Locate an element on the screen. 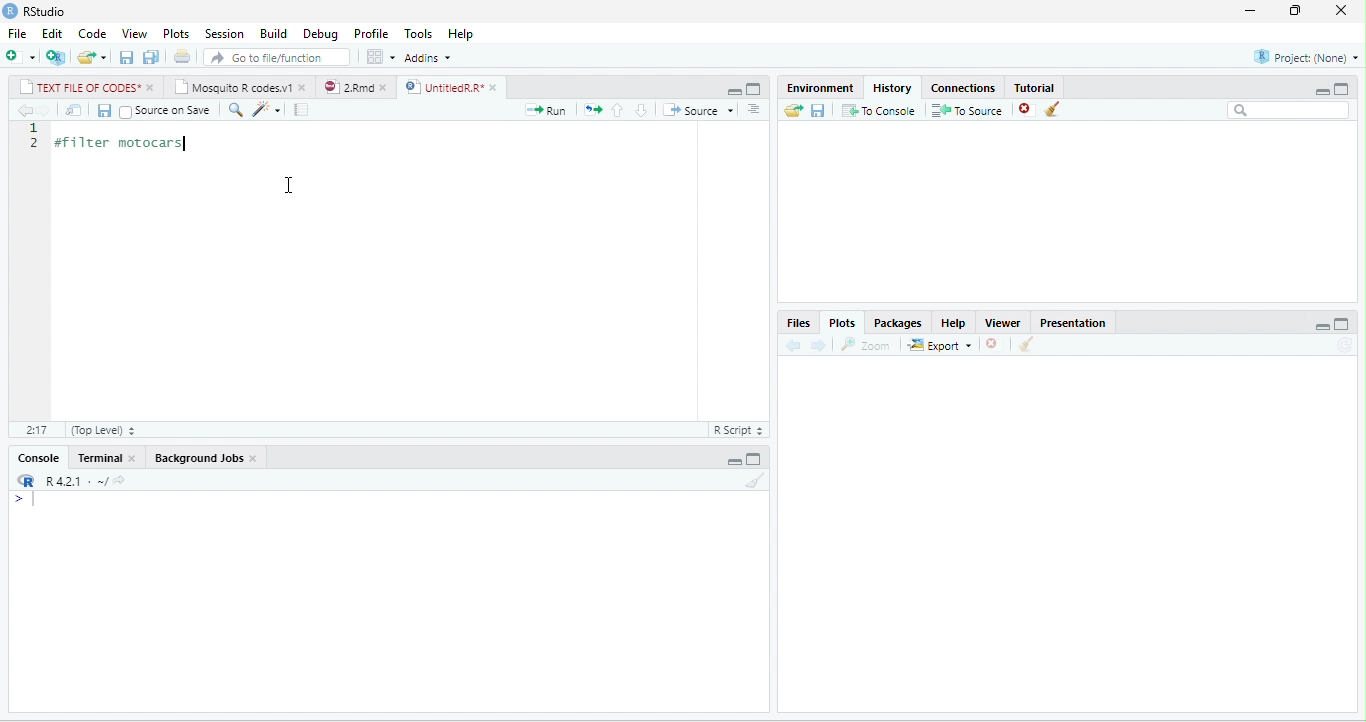 This screenshot has width=1366, height=722. cursor is located at coordinates (290, 186).